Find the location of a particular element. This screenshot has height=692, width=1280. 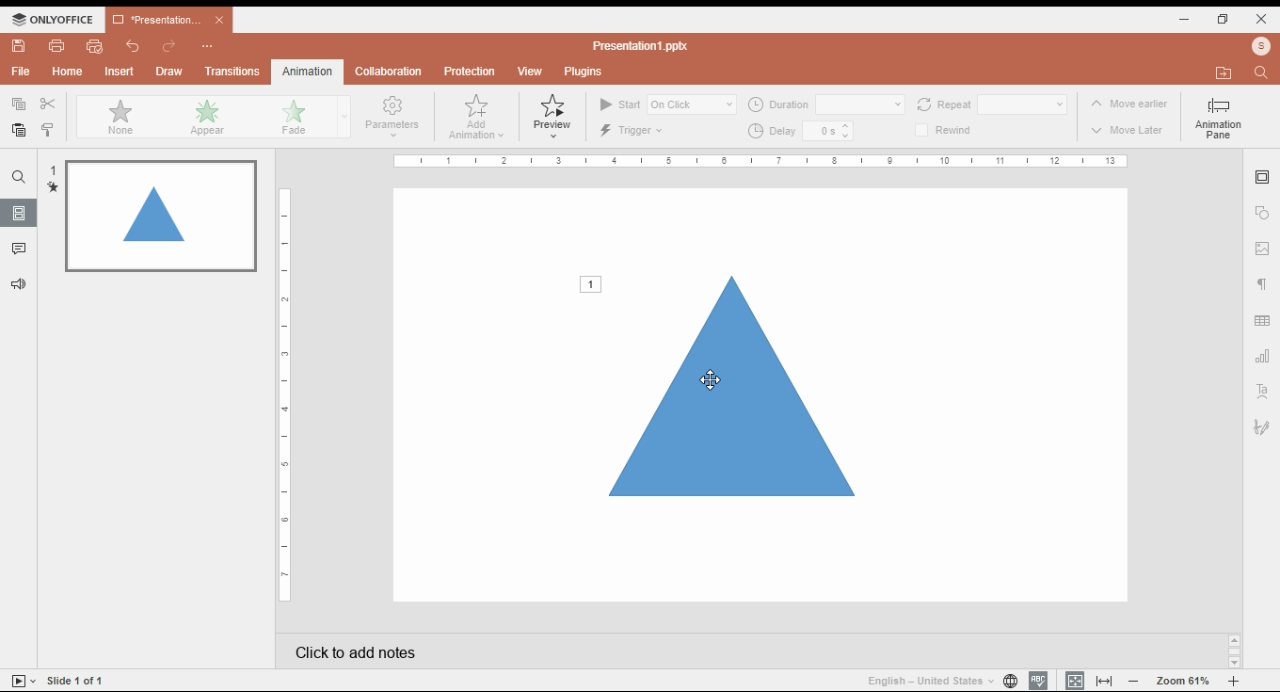

restore is located at coordinates (1225, 18).